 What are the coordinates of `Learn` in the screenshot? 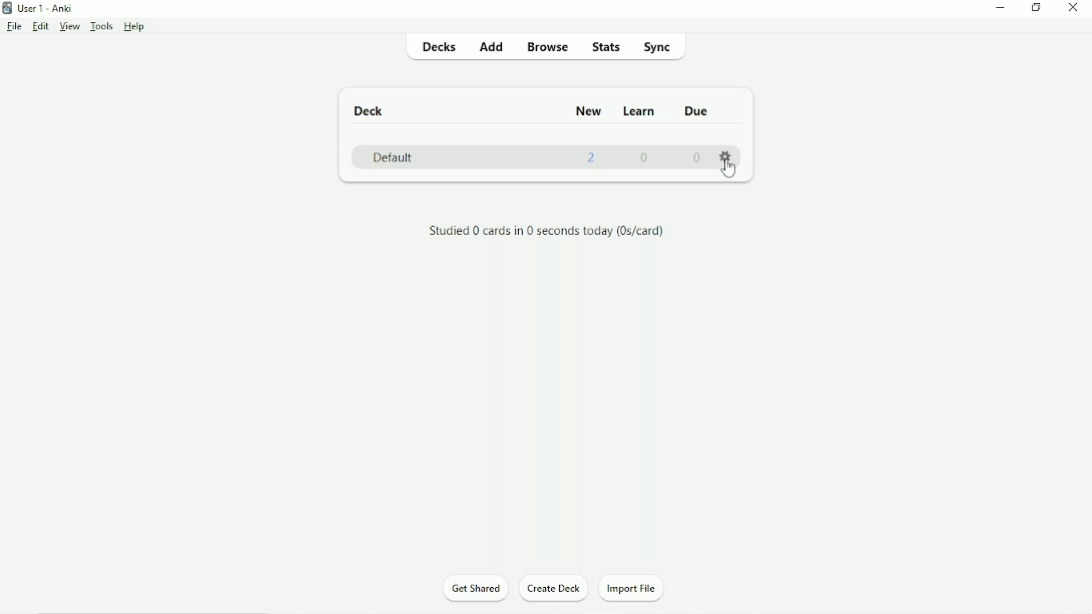 It's located at (641, 111).